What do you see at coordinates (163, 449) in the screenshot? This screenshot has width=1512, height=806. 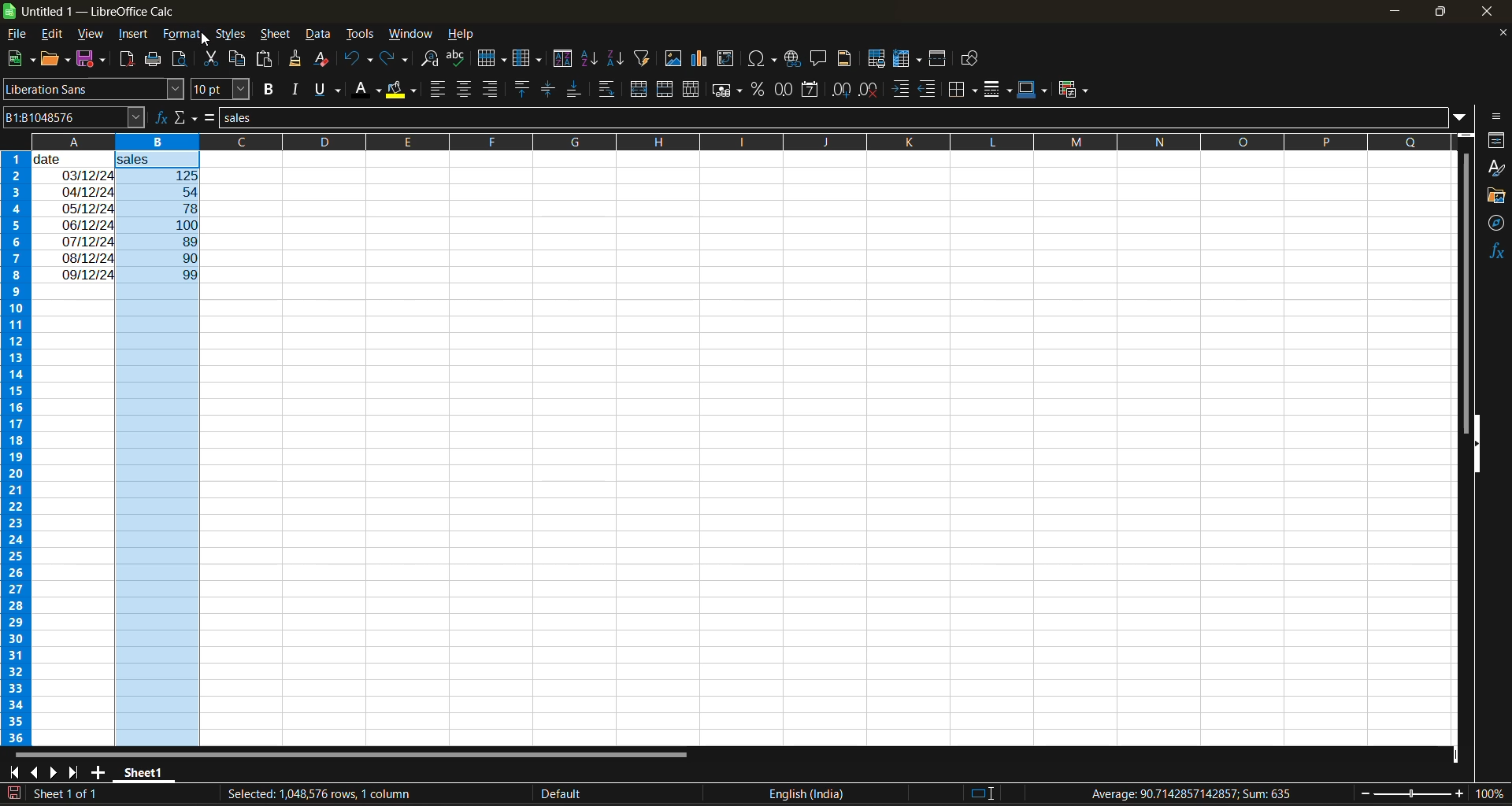 I see `highlighted column` at bounding box center [163, 449].